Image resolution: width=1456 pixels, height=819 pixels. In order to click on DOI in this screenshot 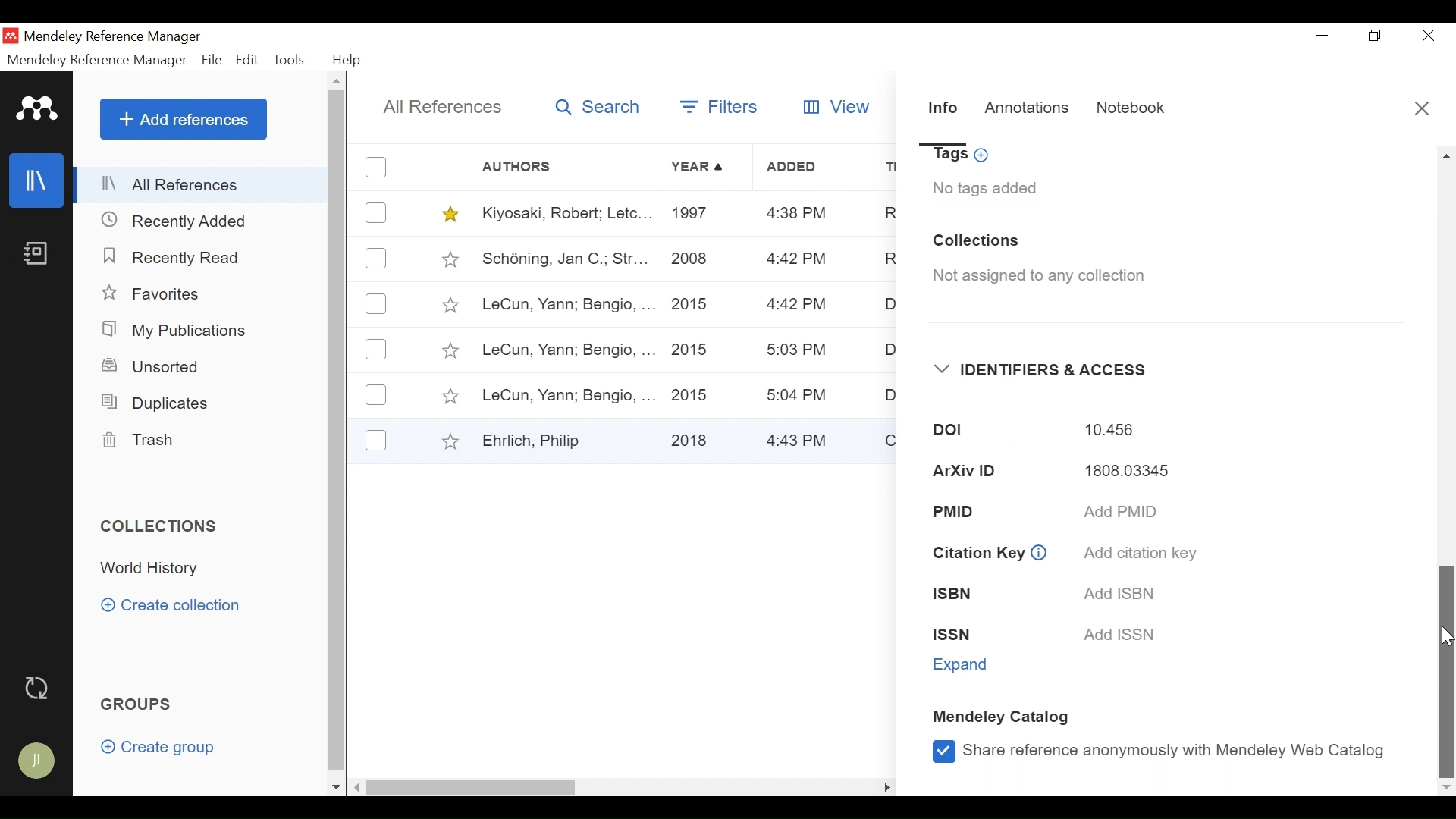, I will do `click(937, 431)`.